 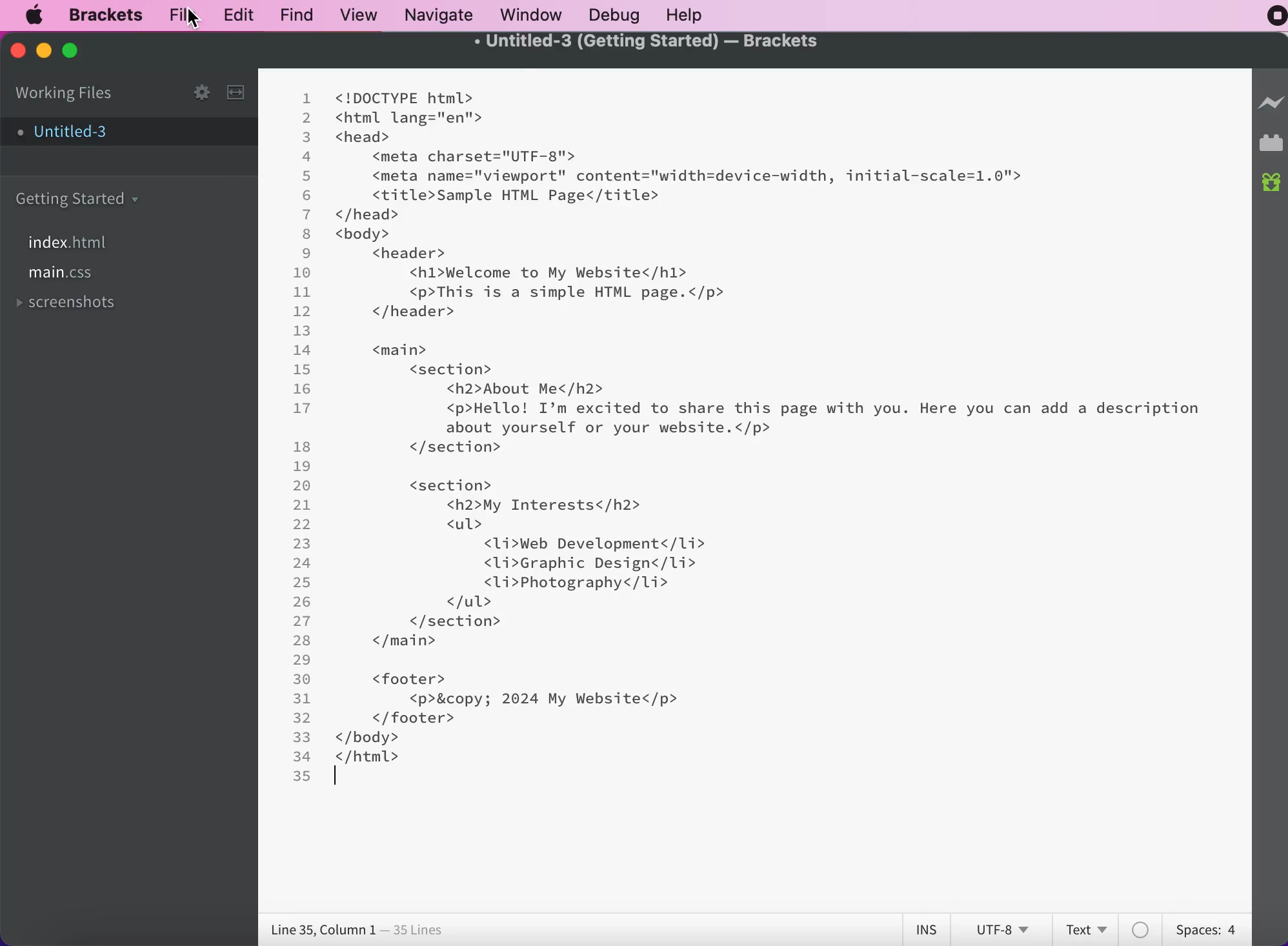 What do you see at coordinates (19, 52) in the screenshot?
I see `close` at bounding box center [19, 52].